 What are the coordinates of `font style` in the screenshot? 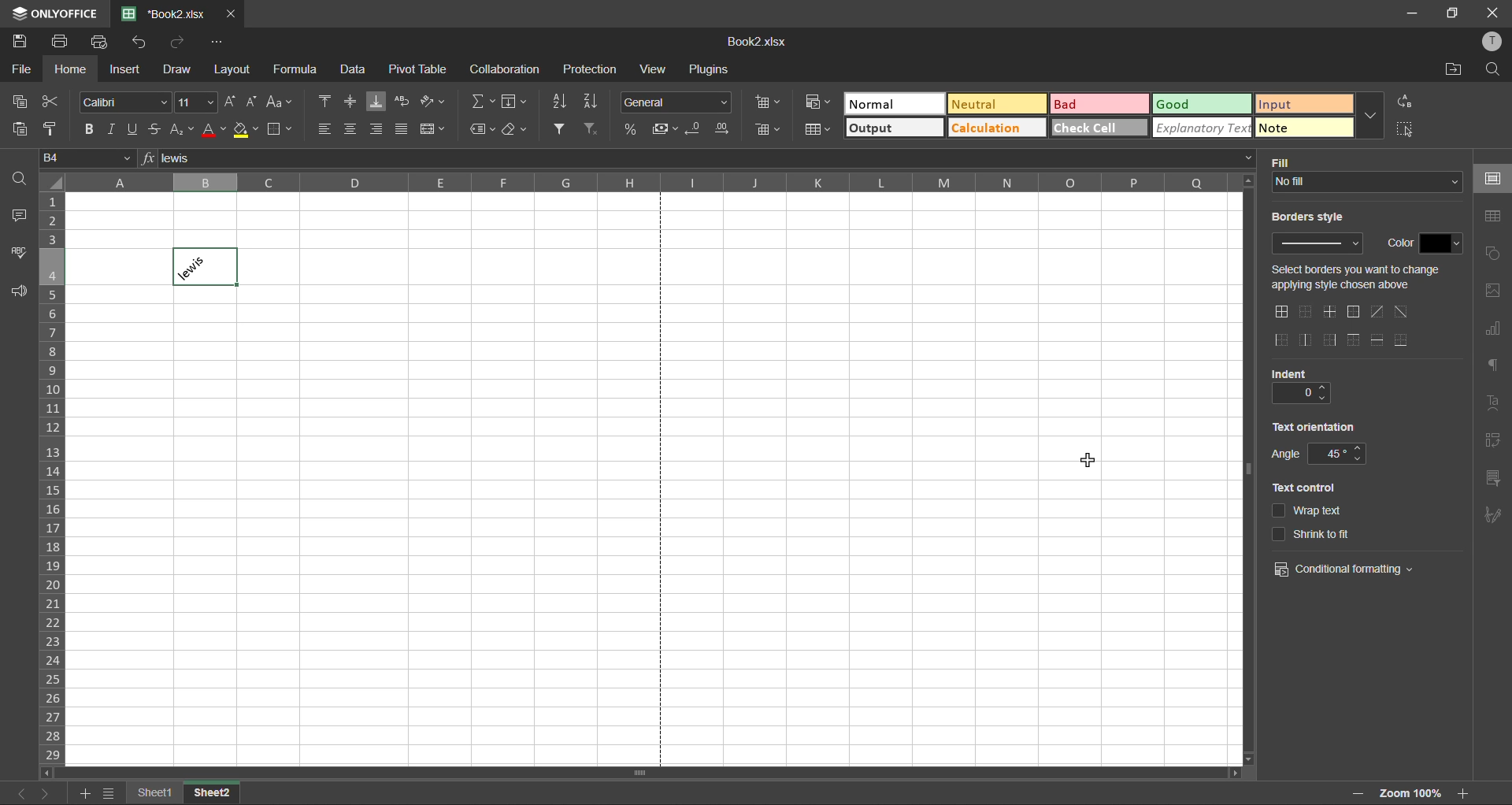 It's located at (123, 104).